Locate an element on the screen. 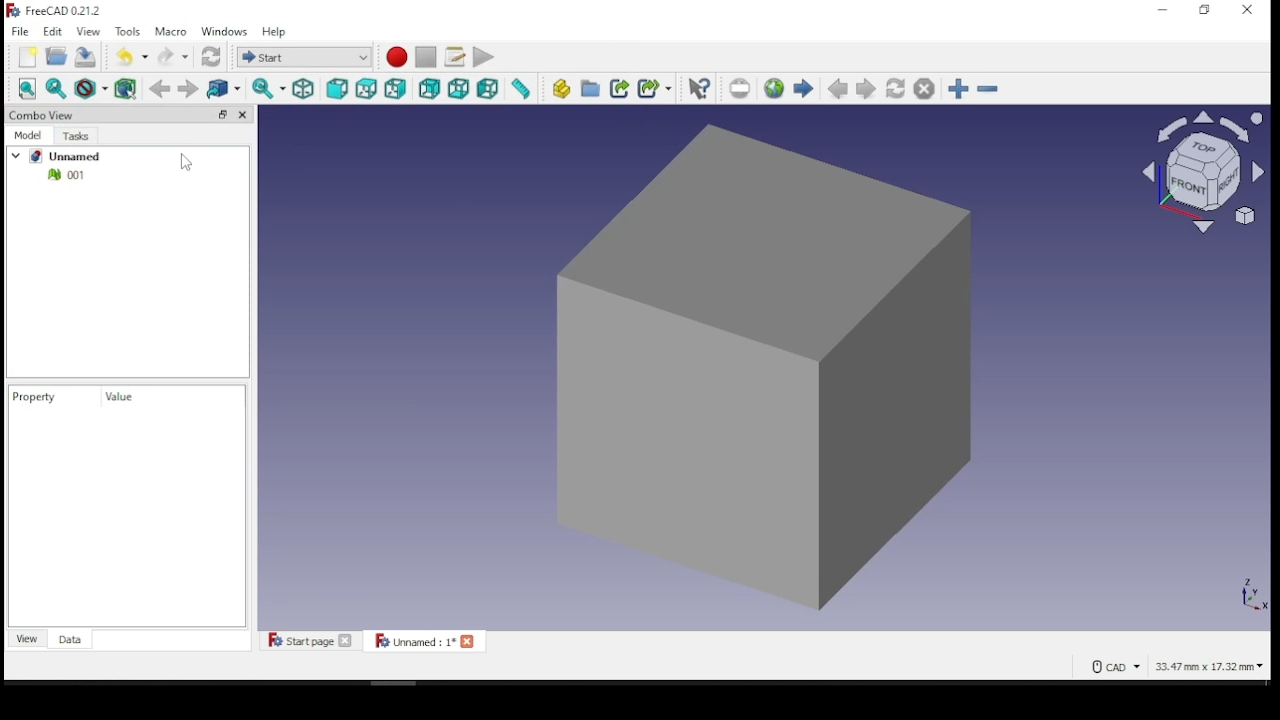 The width and height of the screenshot is (1280, 720). forward is located at coordinates (190, 89).